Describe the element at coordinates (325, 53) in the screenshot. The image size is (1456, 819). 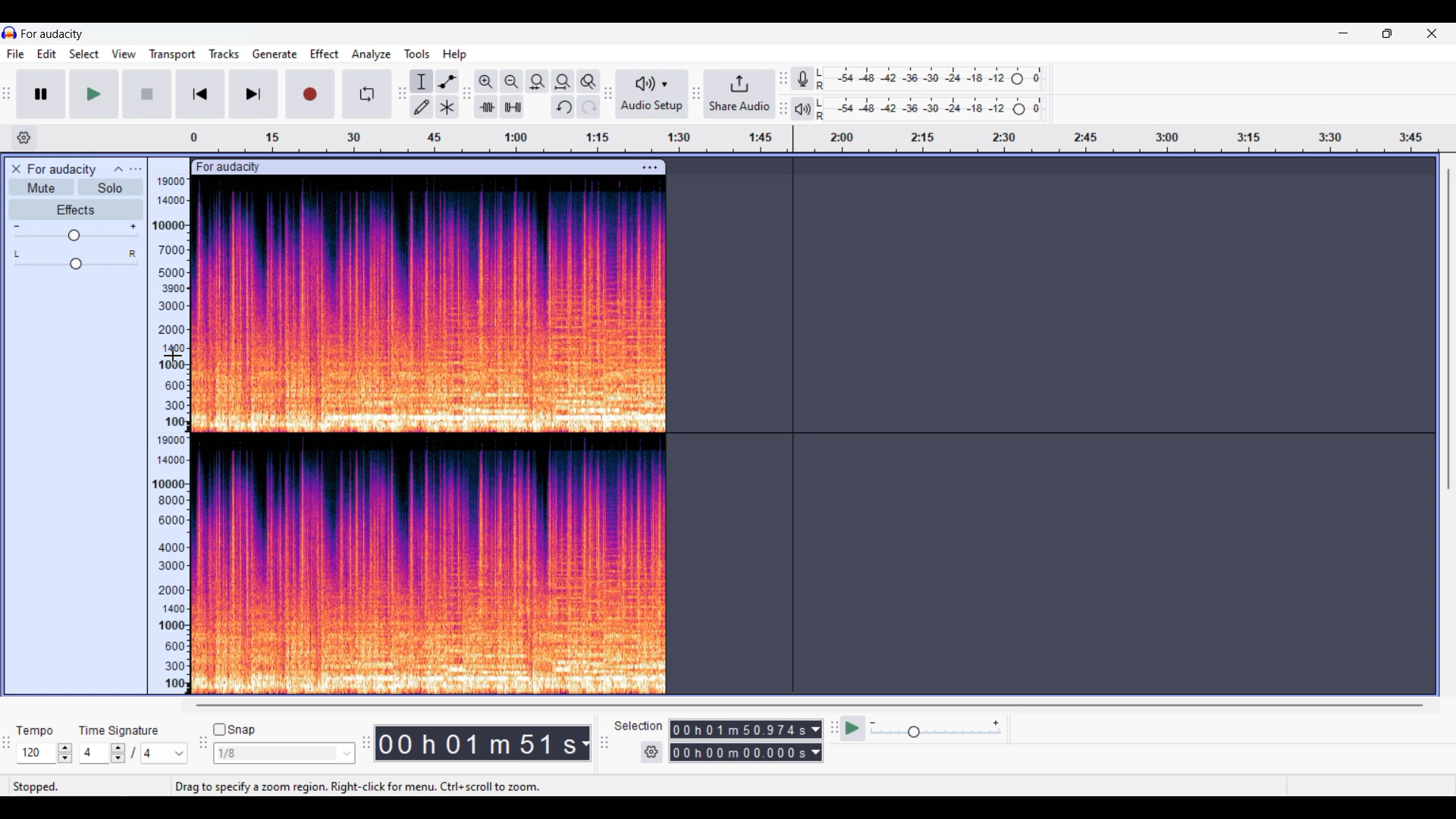
I see `Effect menu` at that location.